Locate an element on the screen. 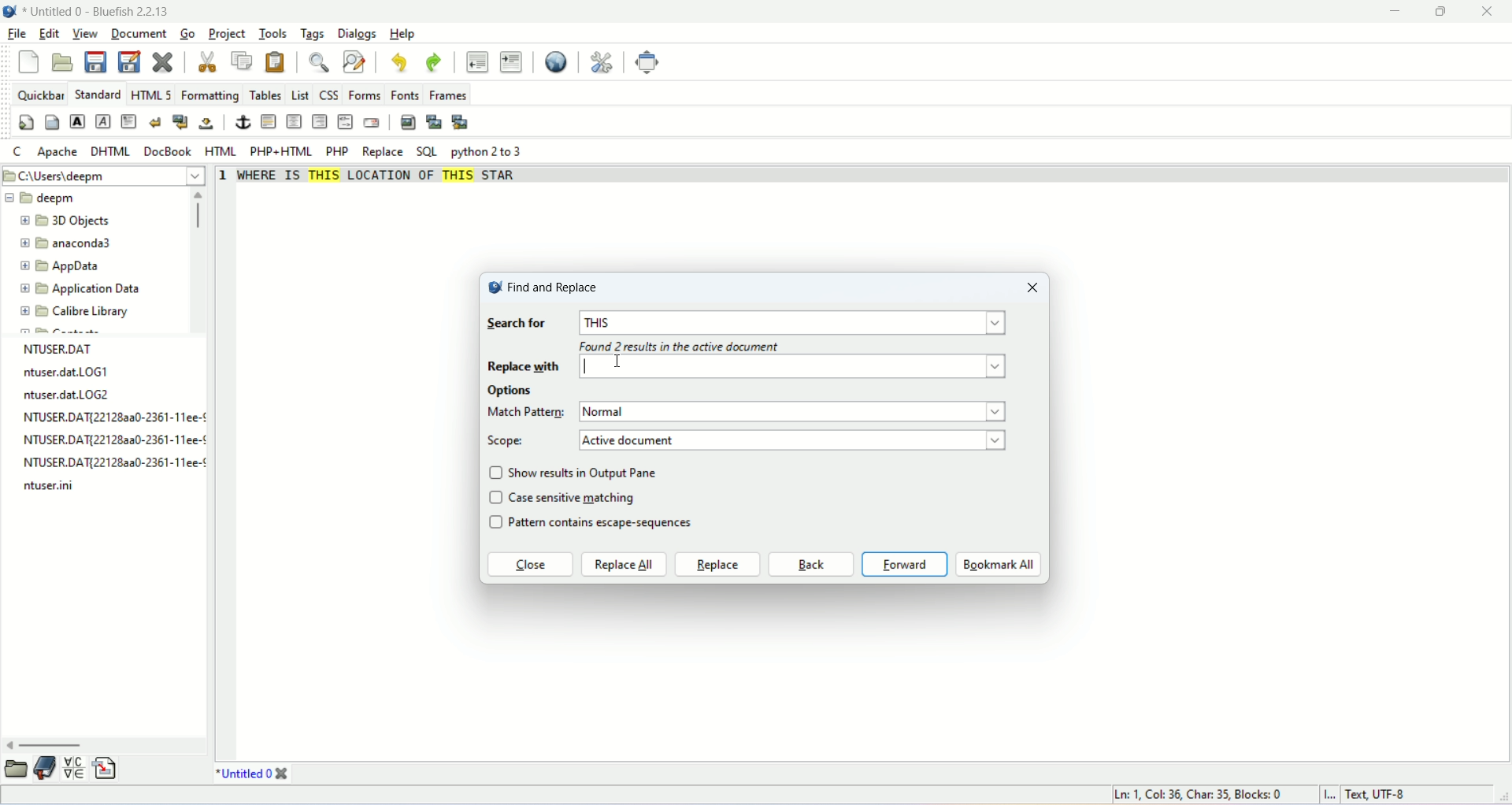 This screenshot has height=805, width=1512. quick settings is located at coordinates (26, 123).